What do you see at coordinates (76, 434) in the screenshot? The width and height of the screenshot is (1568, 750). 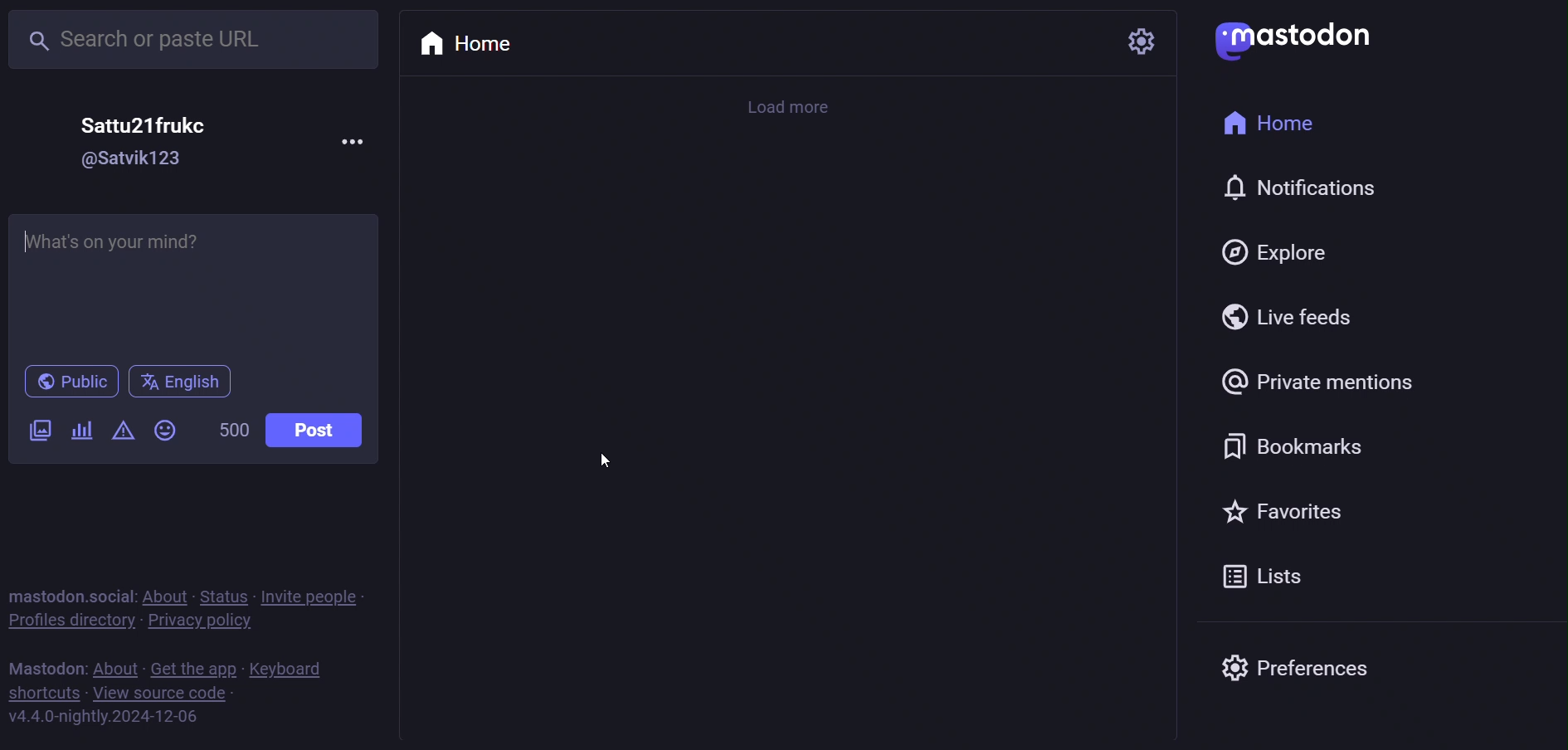 I see `poll` at bounding box center [76, 434].